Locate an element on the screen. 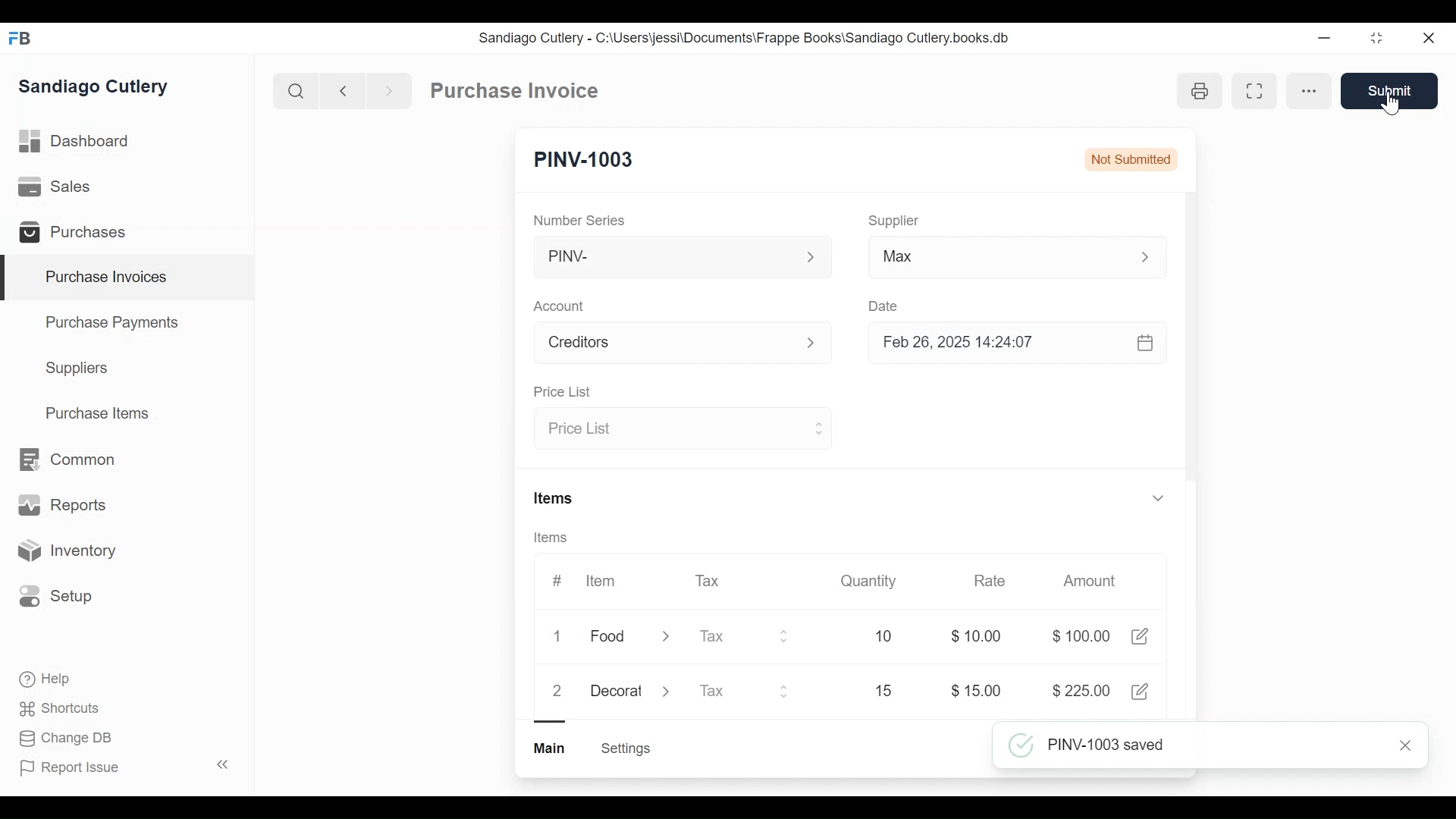 The width and height of the screenshot is (1456, 819). Expand is located at coordinates (787, 691).